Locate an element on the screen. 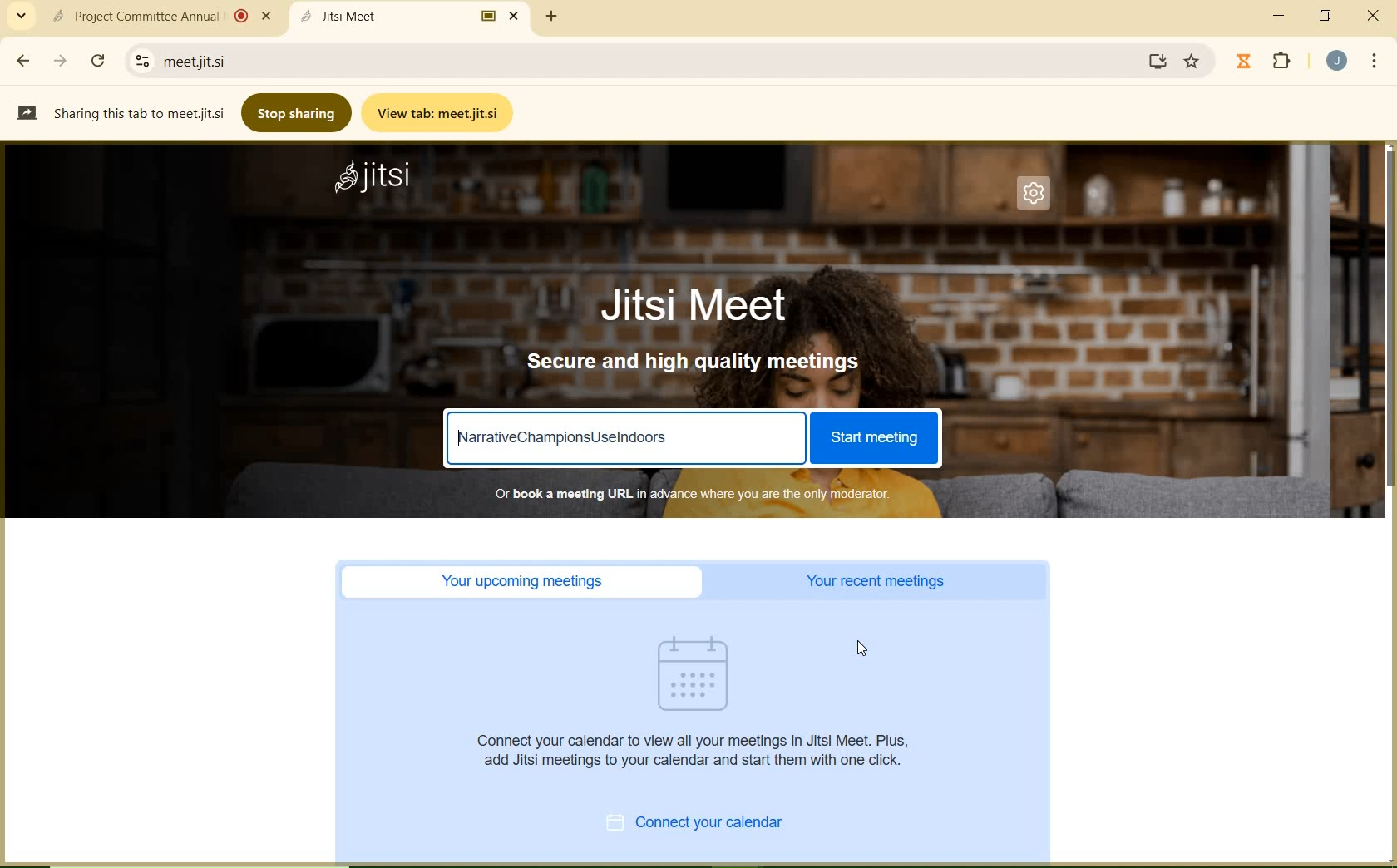 The height and width of the screenshot is (868, 1397). meetjitsi is located at coordinates (205, 60).